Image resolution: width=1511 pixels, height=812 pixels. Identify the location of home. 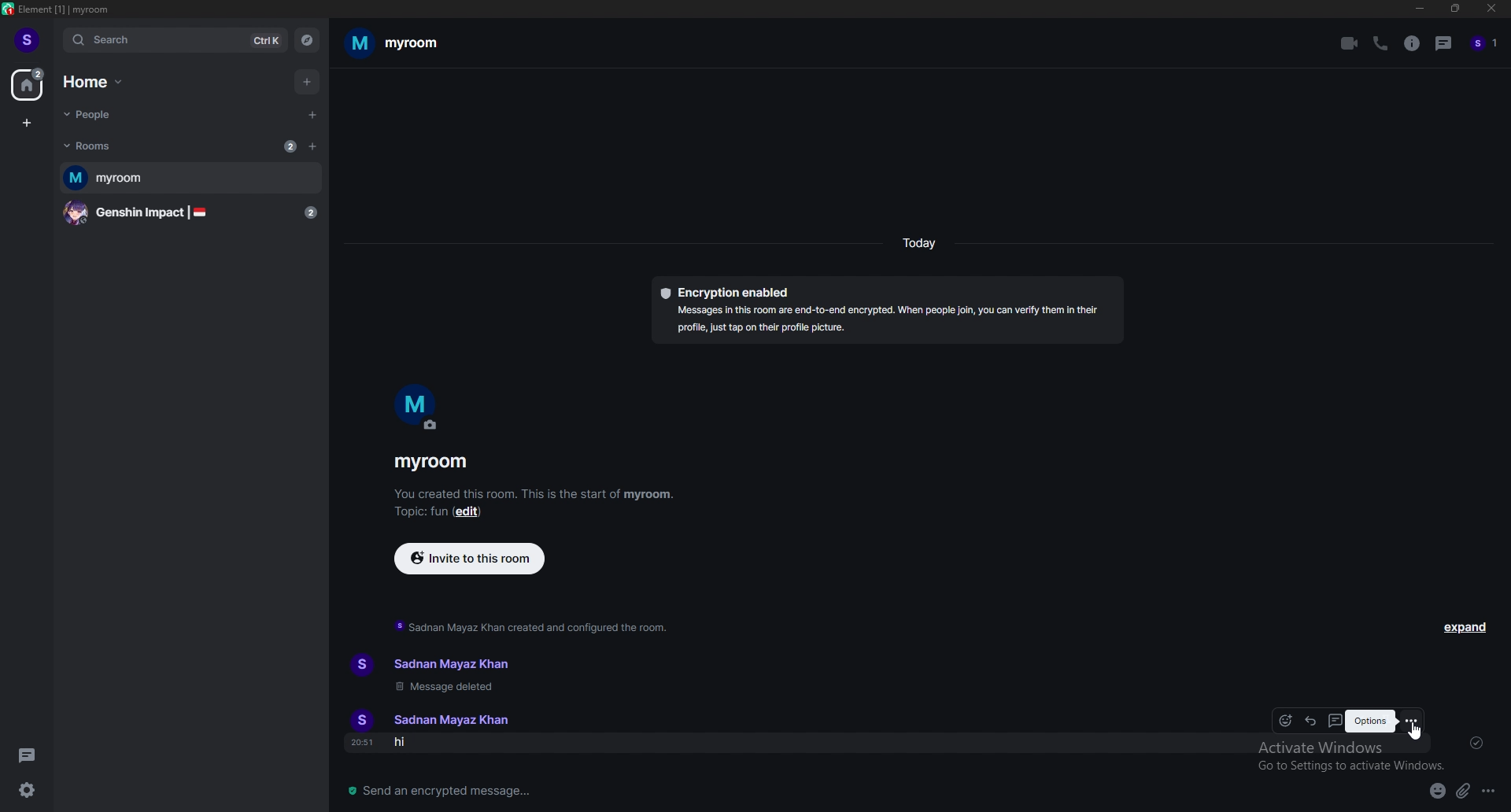
(95, 82).